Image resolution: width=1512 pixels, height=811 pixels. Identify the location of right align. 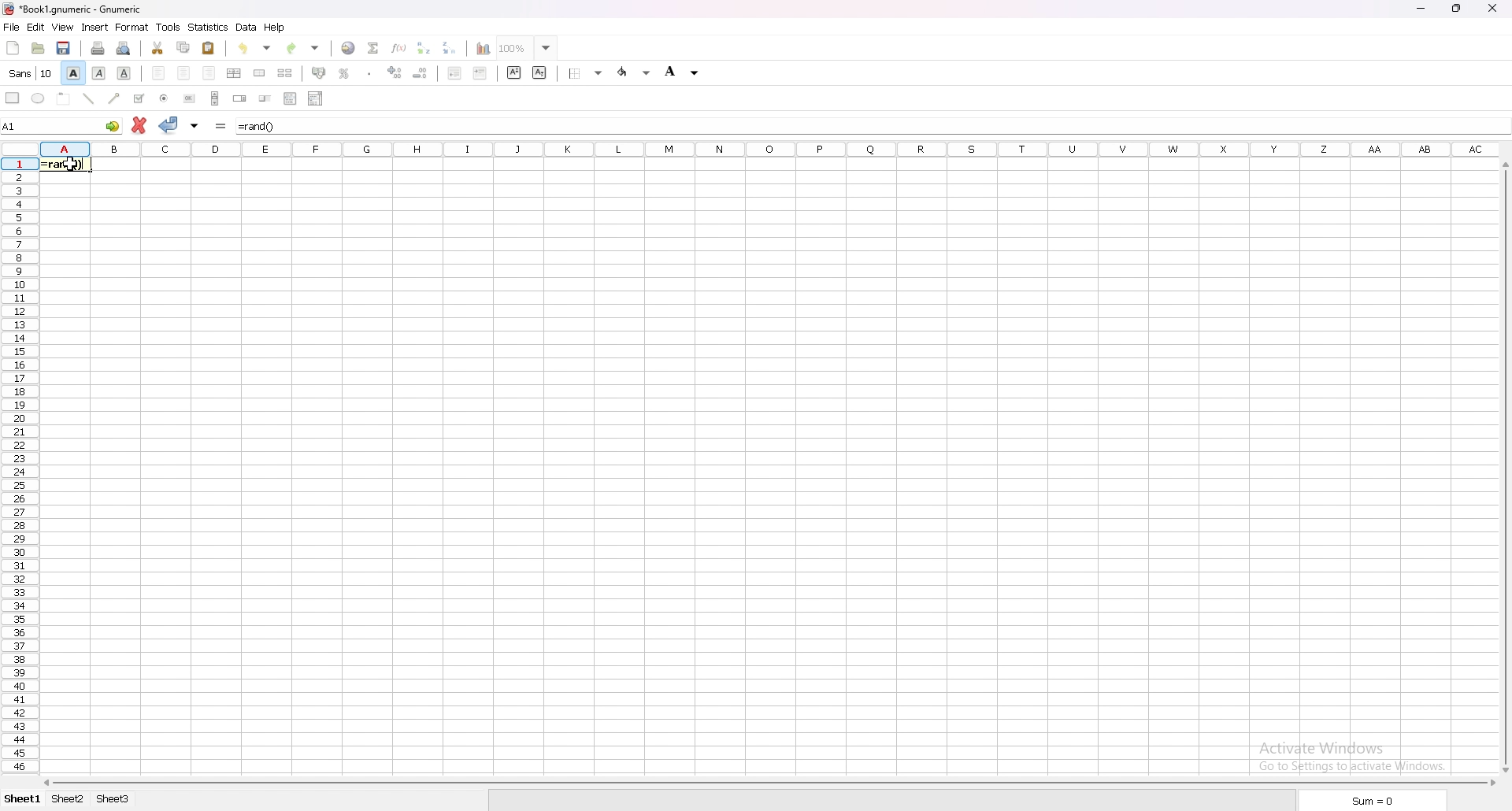
(209, 73).